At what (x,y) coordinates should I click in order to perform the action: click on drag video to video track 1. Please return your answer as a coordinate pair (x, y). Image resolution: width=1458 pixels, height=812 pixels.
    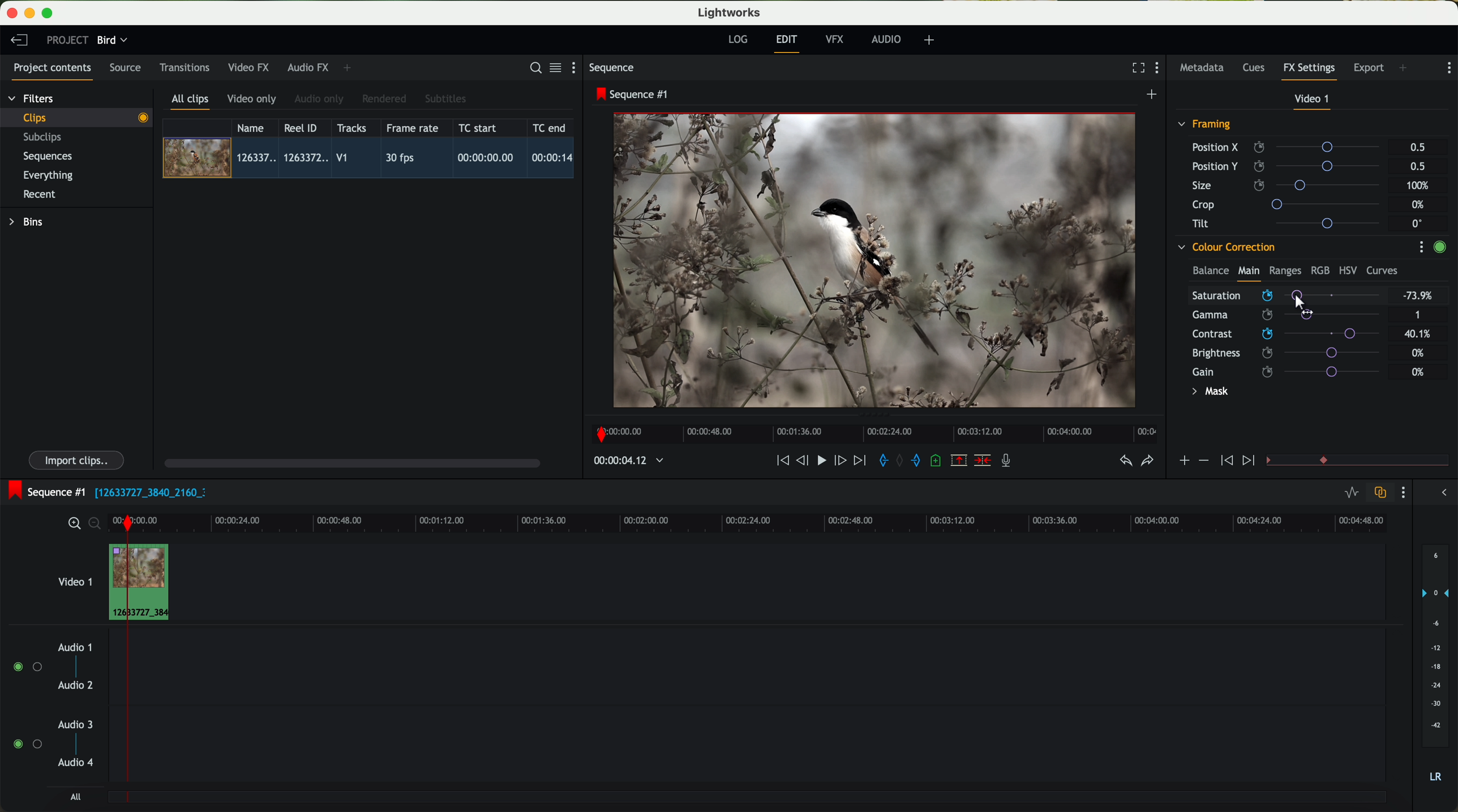
    Looking at the image, I should click on (144, 583).